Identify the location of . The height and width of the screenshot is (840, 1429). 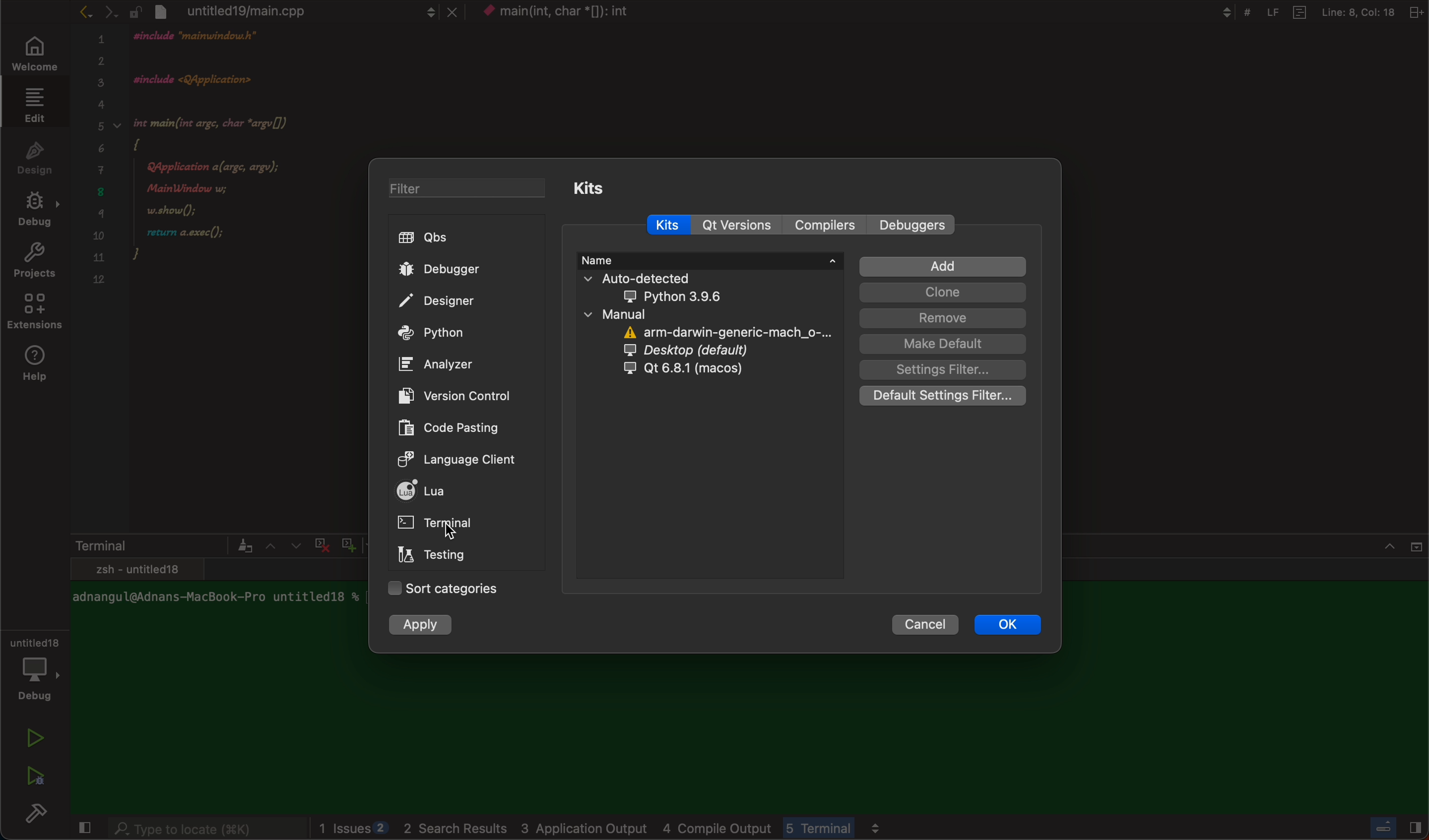
(1392, 830).